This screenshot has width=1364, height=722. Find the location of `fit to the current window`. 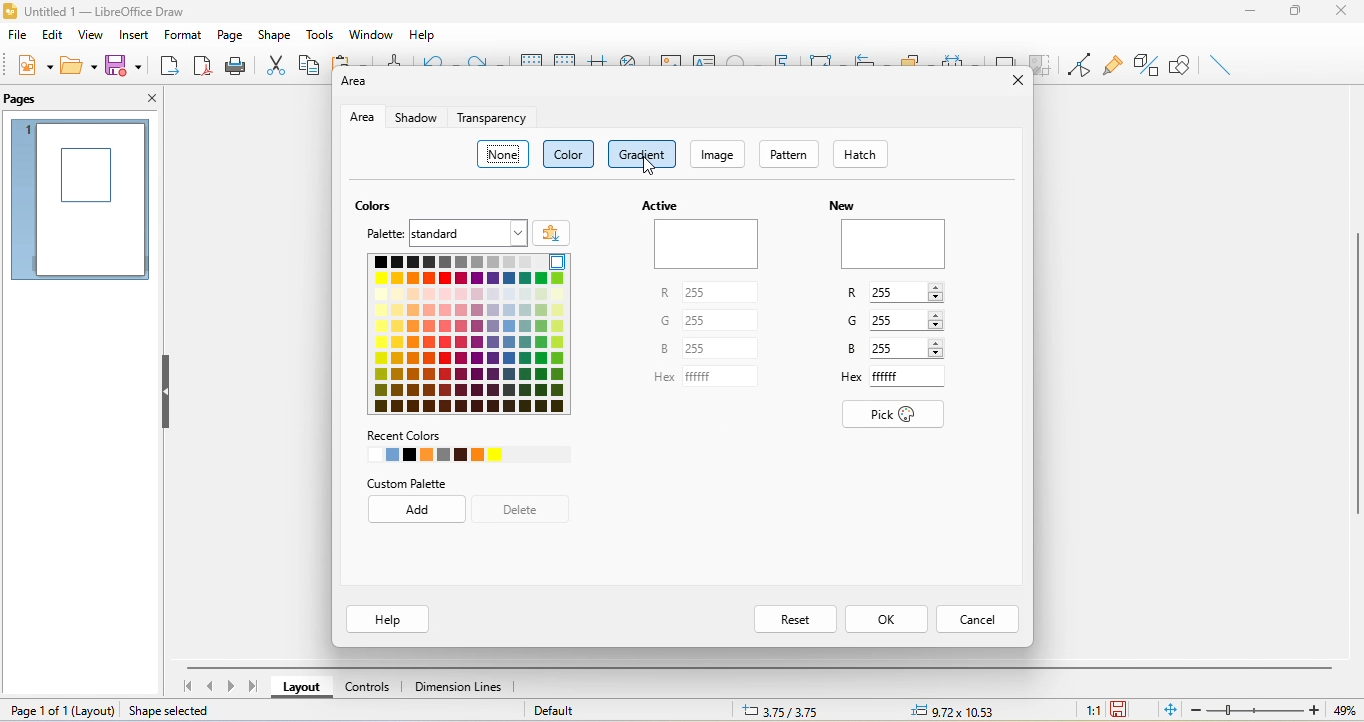

fit to the current window is located at coordinates (1171, 711).